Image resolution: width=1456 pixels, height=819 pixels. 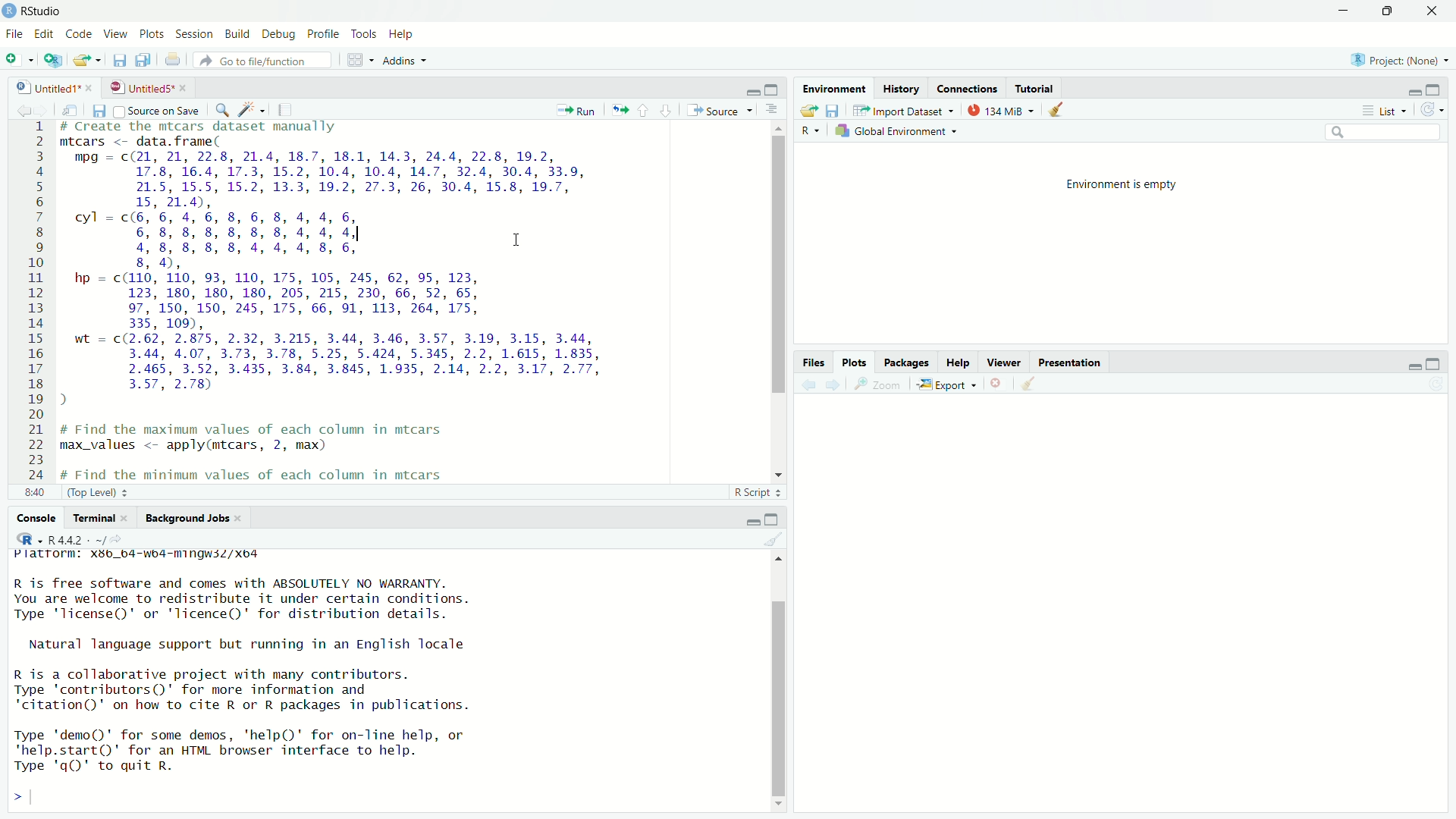 I want to click on add script, so click(x=54, y=61).